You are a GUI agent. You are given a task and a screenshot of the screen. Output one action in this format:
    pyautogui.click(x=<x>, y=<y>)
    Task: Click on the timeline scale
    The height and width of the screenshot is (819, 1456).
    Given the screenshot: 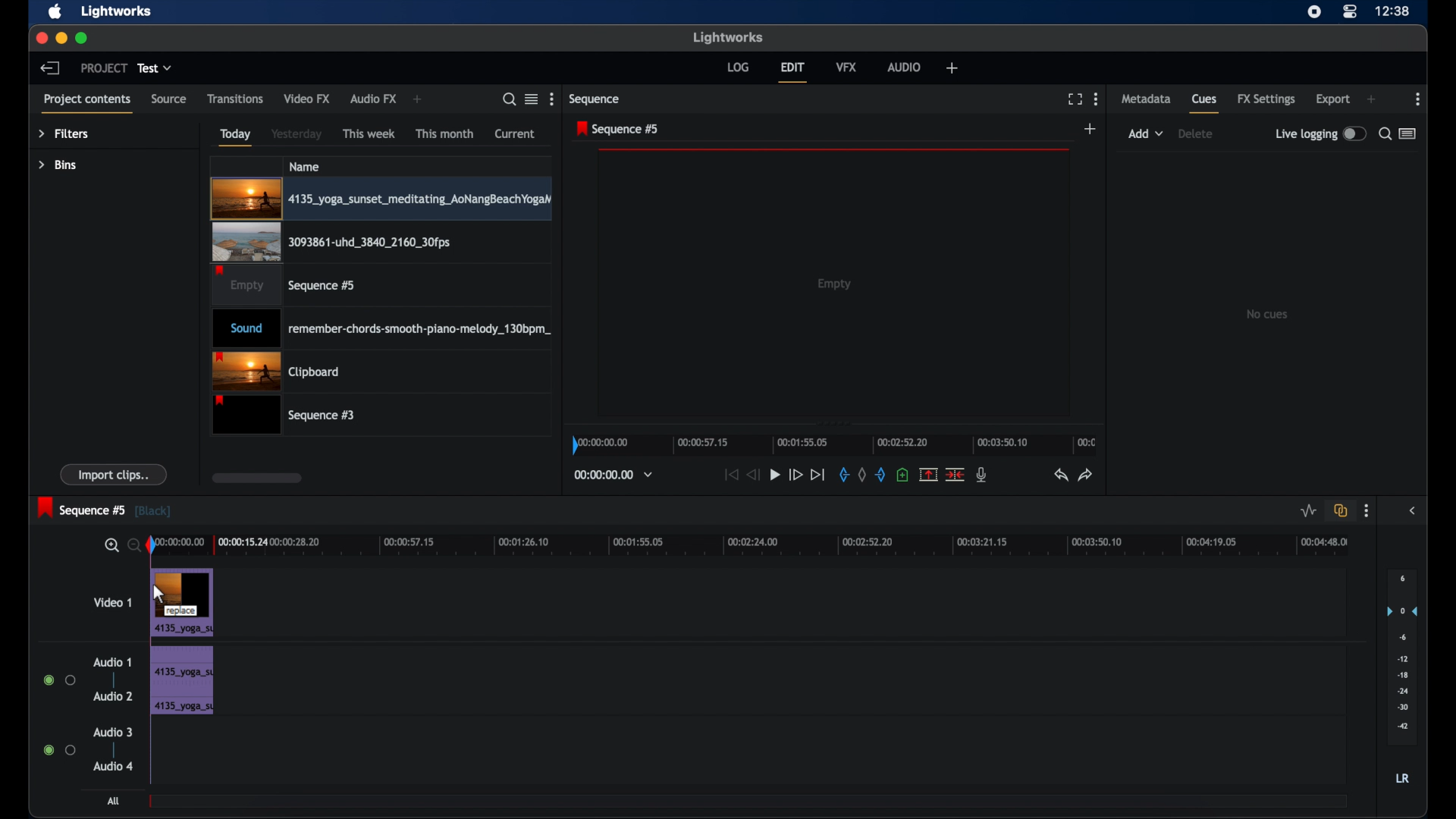 What is the action you would take?
    pyautogui.click(x=763, y=544)
    